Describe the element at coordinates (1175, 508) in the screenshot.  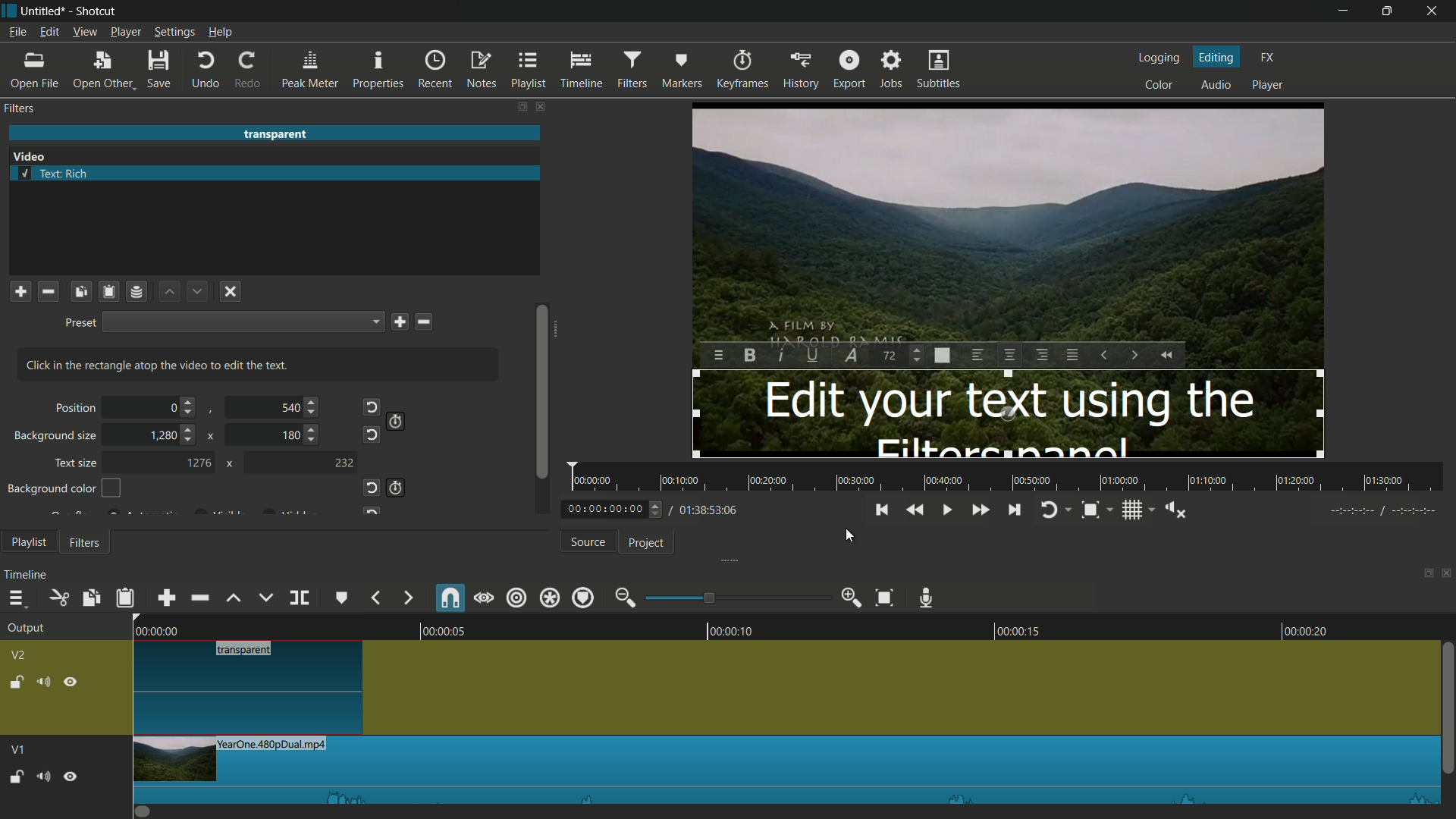
I see `show volume control` at that location.